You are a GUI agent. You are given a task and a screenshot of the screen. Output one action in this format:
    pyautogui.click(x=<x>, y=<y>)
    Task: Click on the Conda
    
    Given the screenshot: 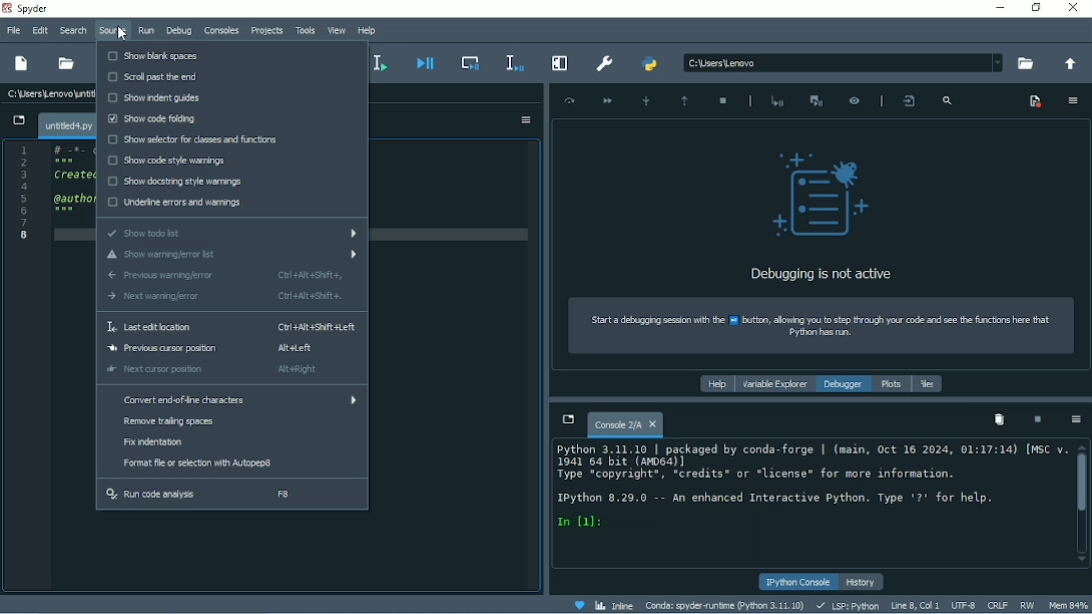 What is the action you would take?
    pyautogui.click(x=724, y=605)
    